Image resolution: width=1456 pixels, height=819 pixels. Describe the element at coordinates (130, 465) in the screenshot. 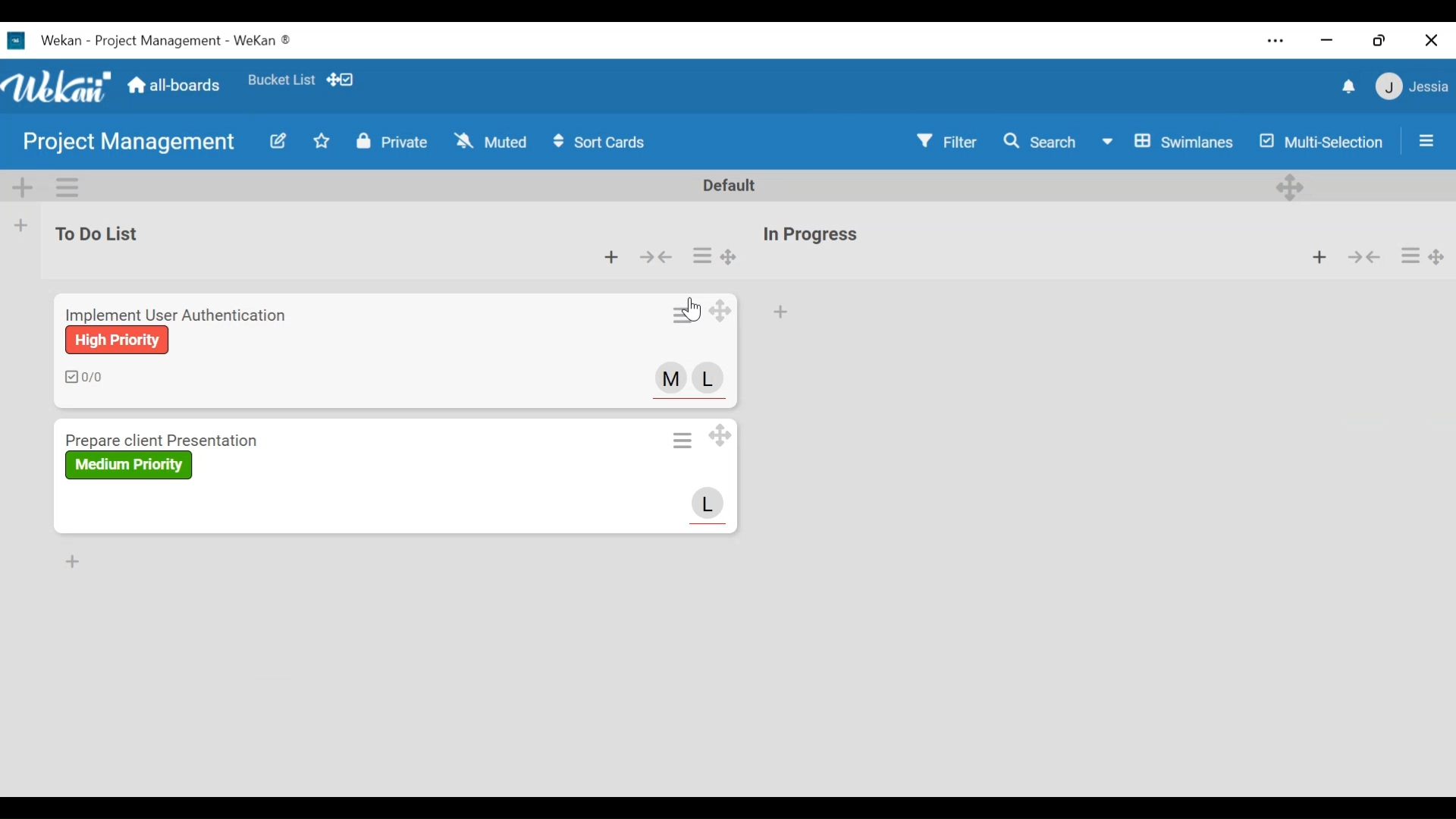

I see `label` at that location.